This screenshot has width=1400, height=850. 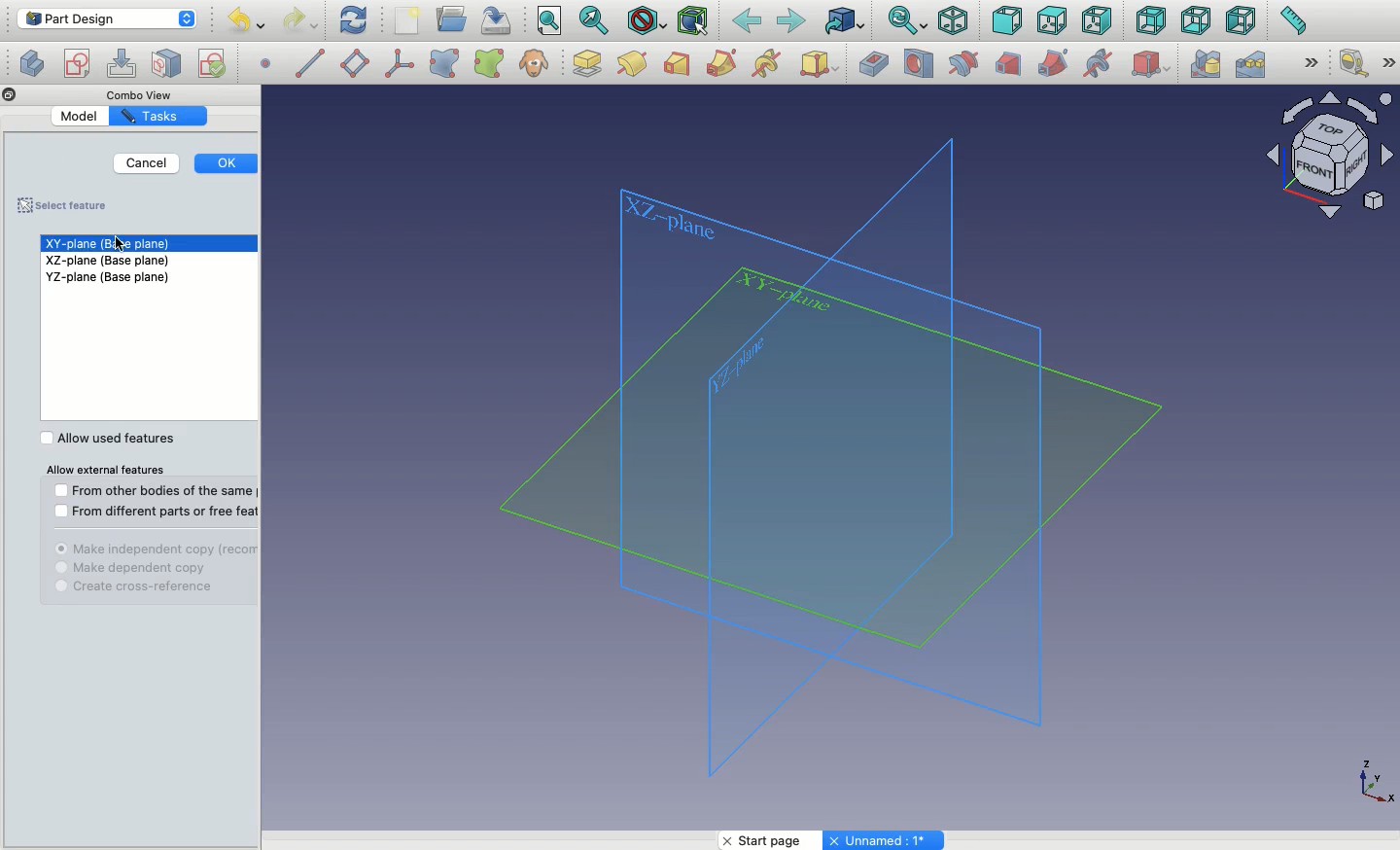 What do you see at coordinates (111, 262) in the screenshot?
I see `XZ` at bounding box center [111, 262].